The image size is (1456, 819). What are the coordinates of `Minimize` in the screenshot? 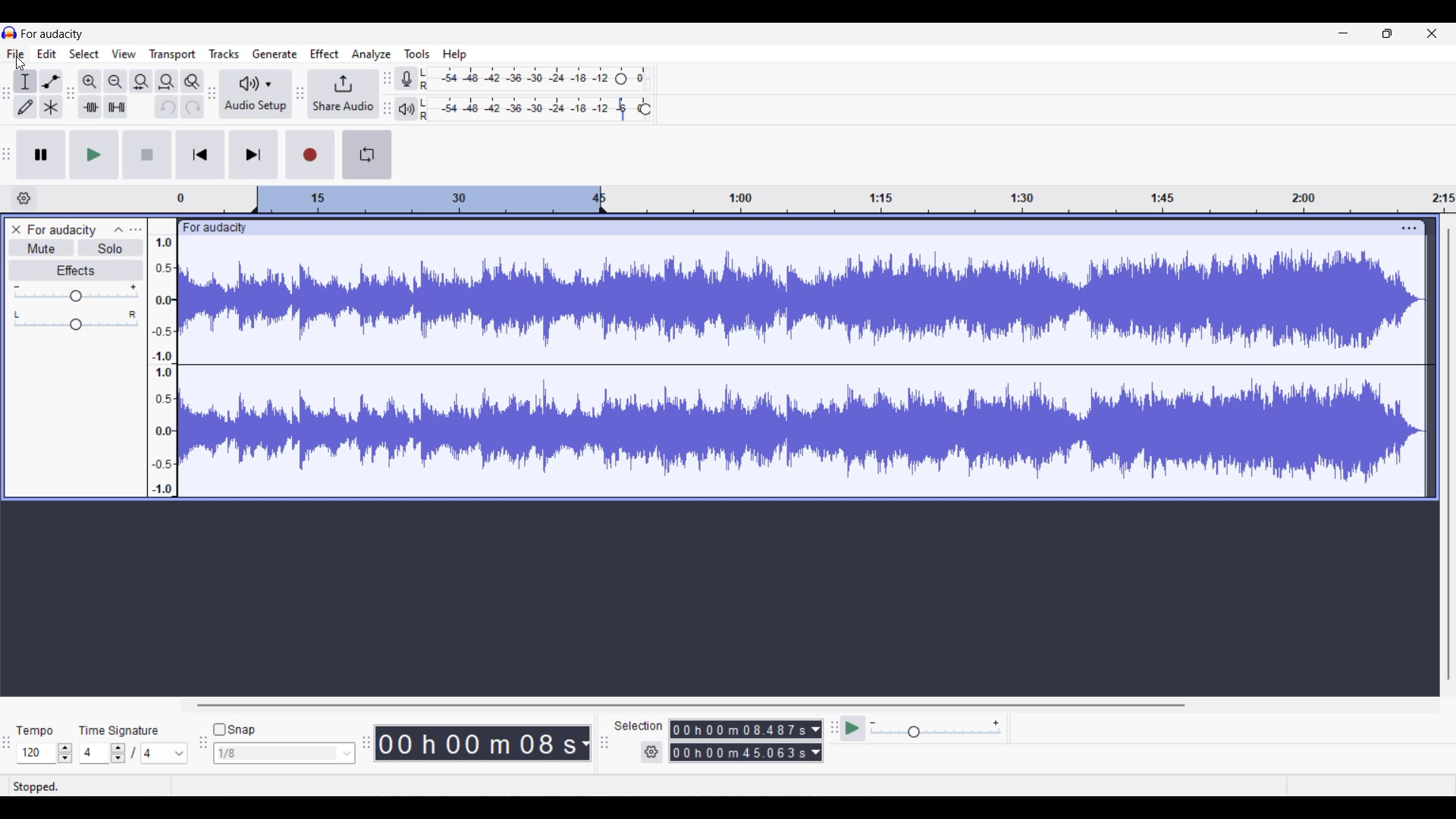 It's located at (1343, 33).